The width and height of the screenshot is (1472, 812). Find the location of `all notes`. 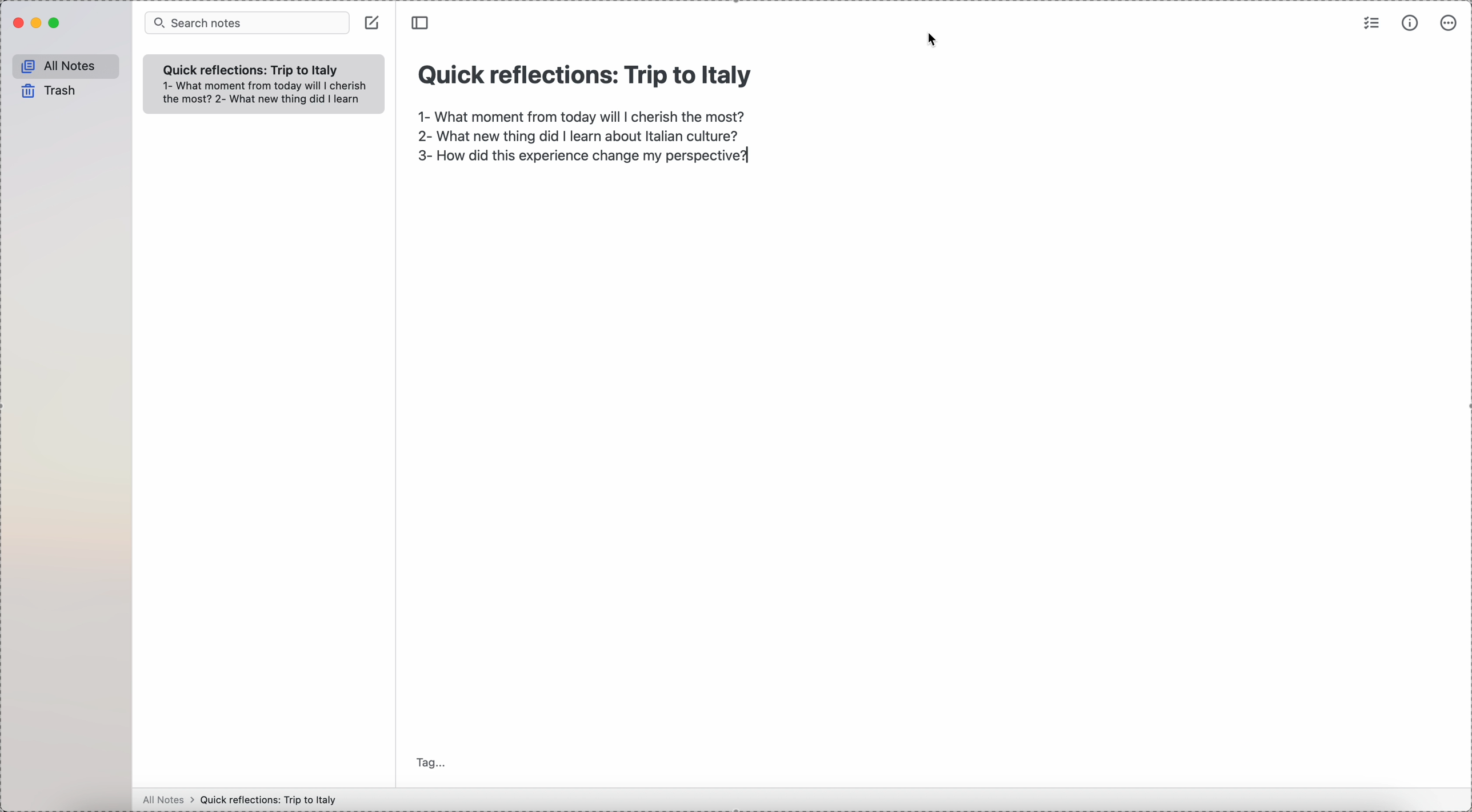

all notes is located at coordinates (62, 65).